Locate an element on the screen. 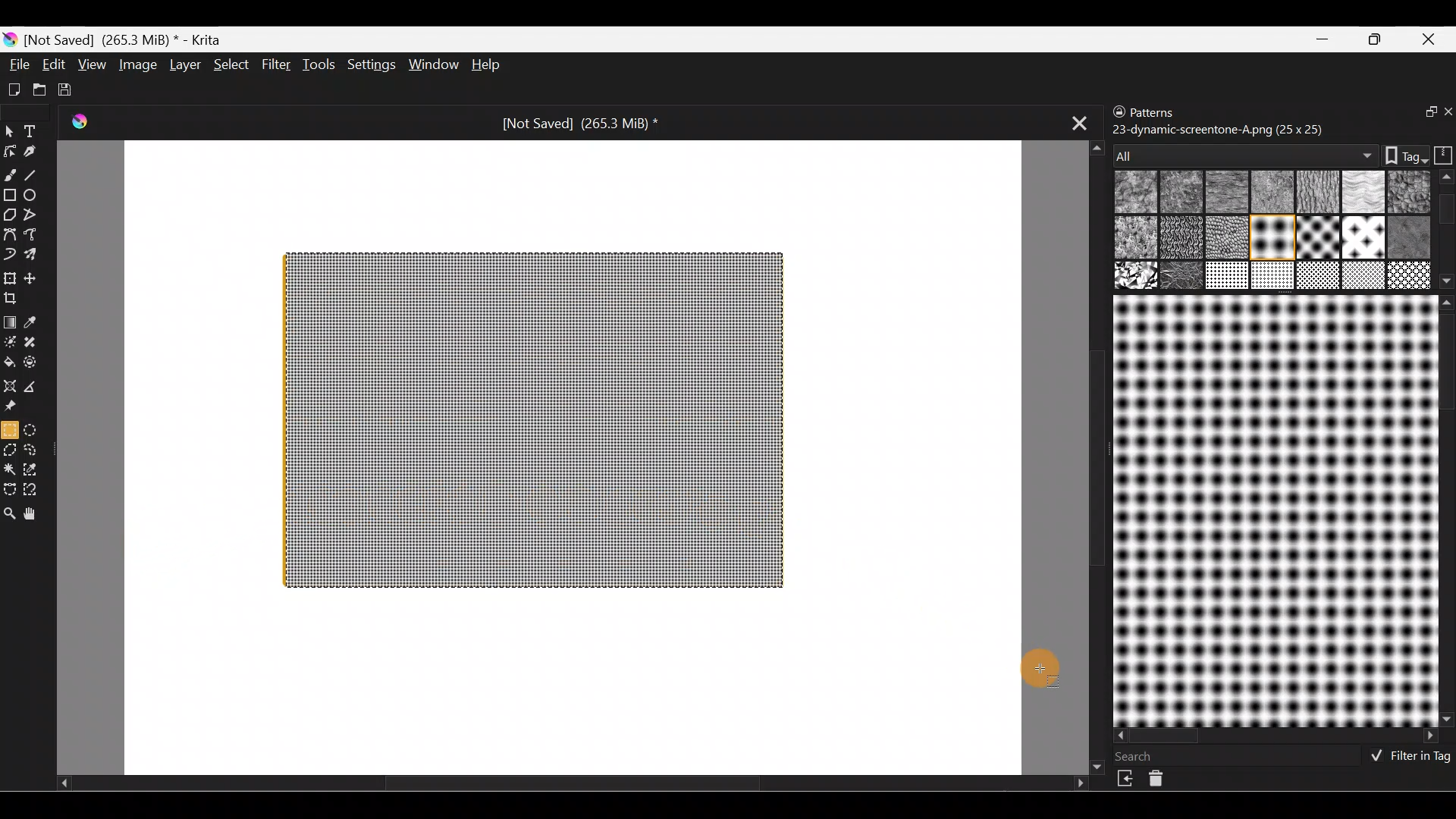 Image resolution: width=1456 pixels, height=819 pixels. Settings is located at coordinates (369, 65).